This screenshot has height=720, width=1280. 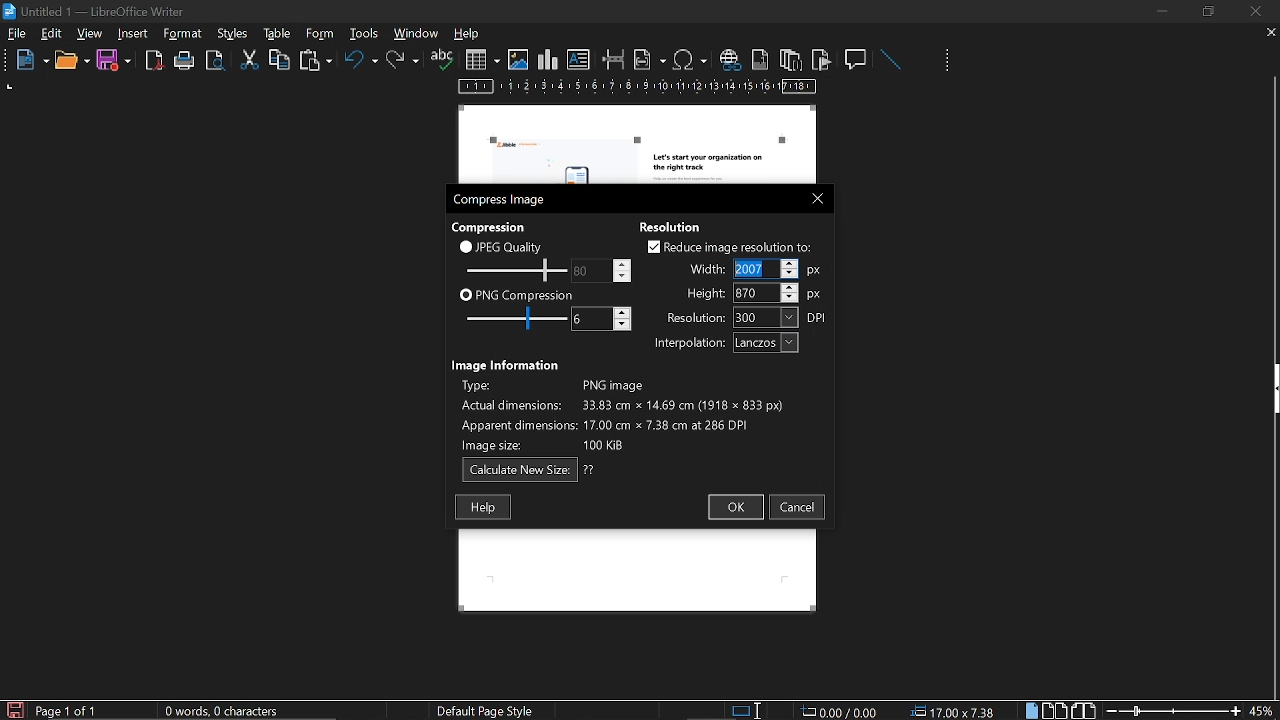 I want to click on new, so click(x=27, y=61).